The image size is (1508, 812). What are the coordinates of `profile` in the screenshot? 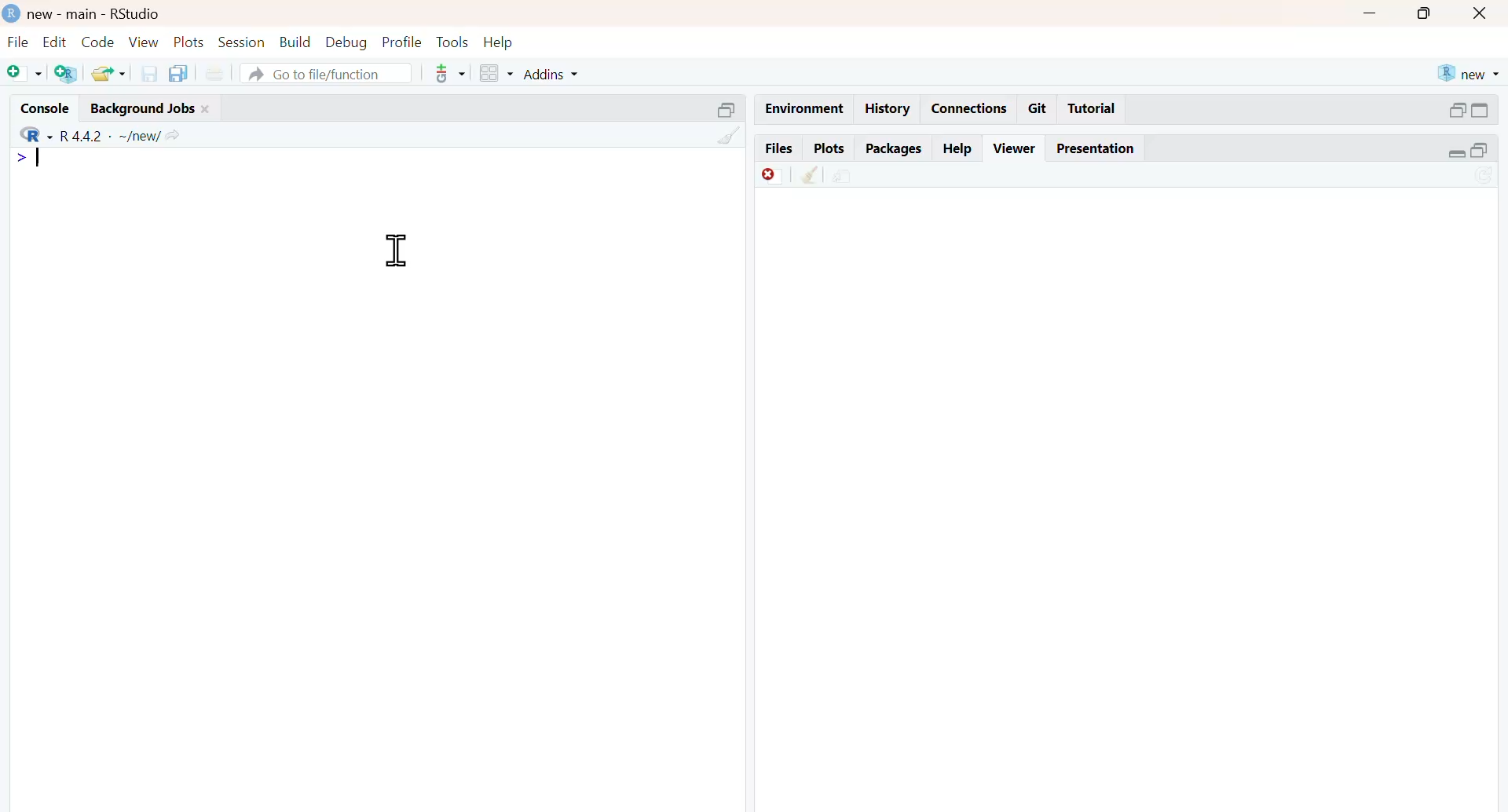 It's located at (403, 43).